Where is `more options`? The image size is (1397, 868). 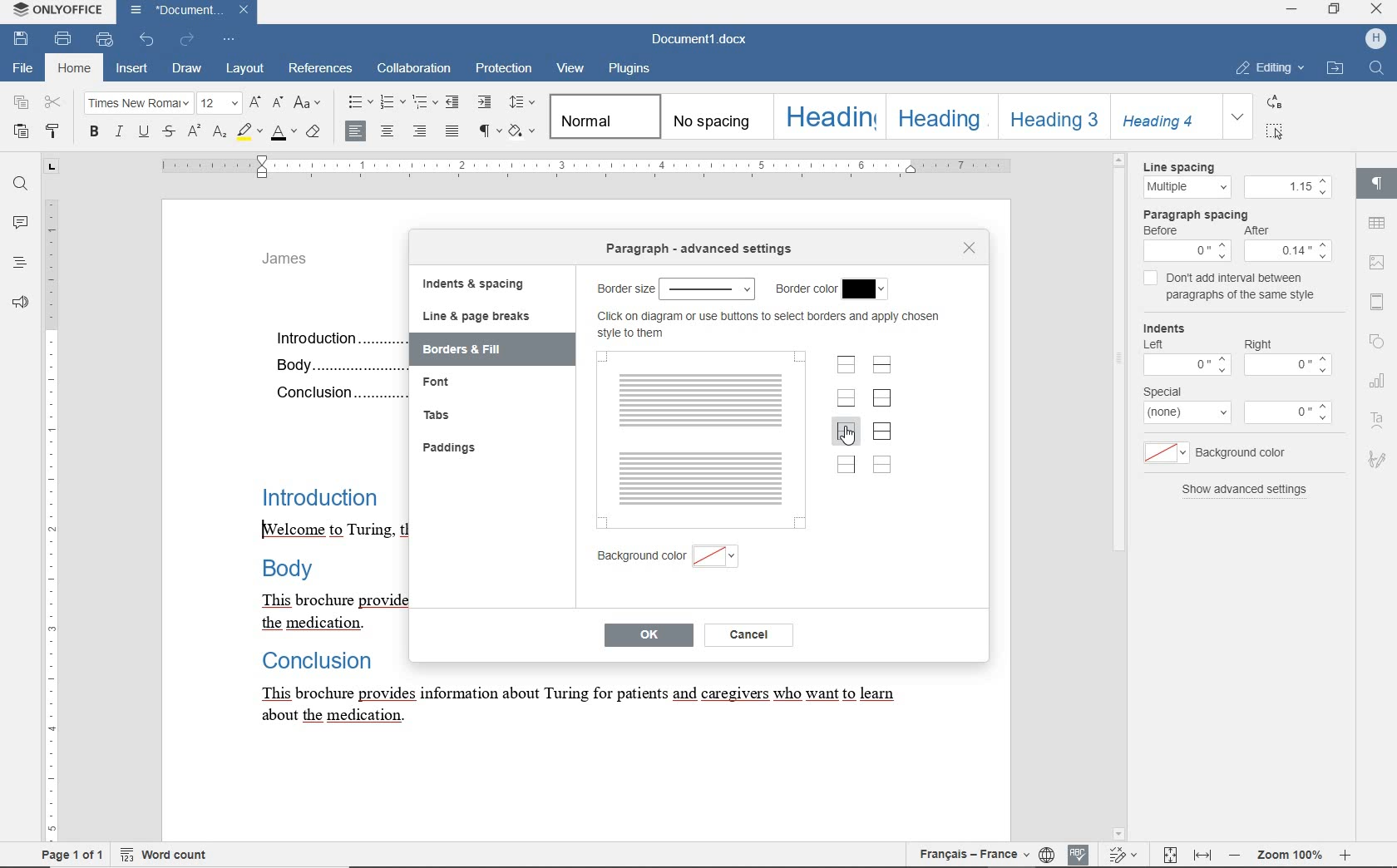
more options is located at coordinates (1185, 363).